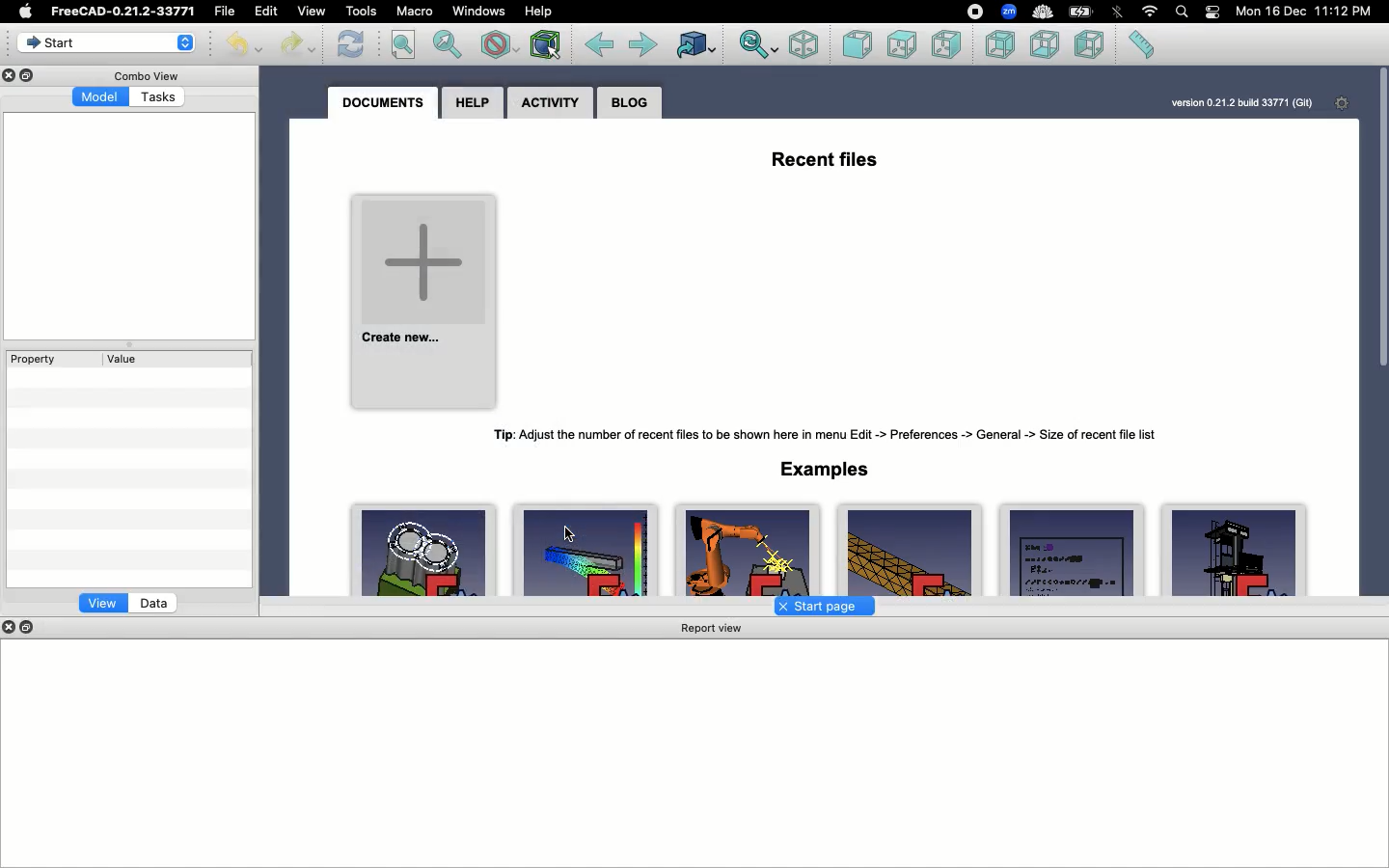  Describe the element at coordinates (943, 43) in the screenshot. I see `Right` at that location.